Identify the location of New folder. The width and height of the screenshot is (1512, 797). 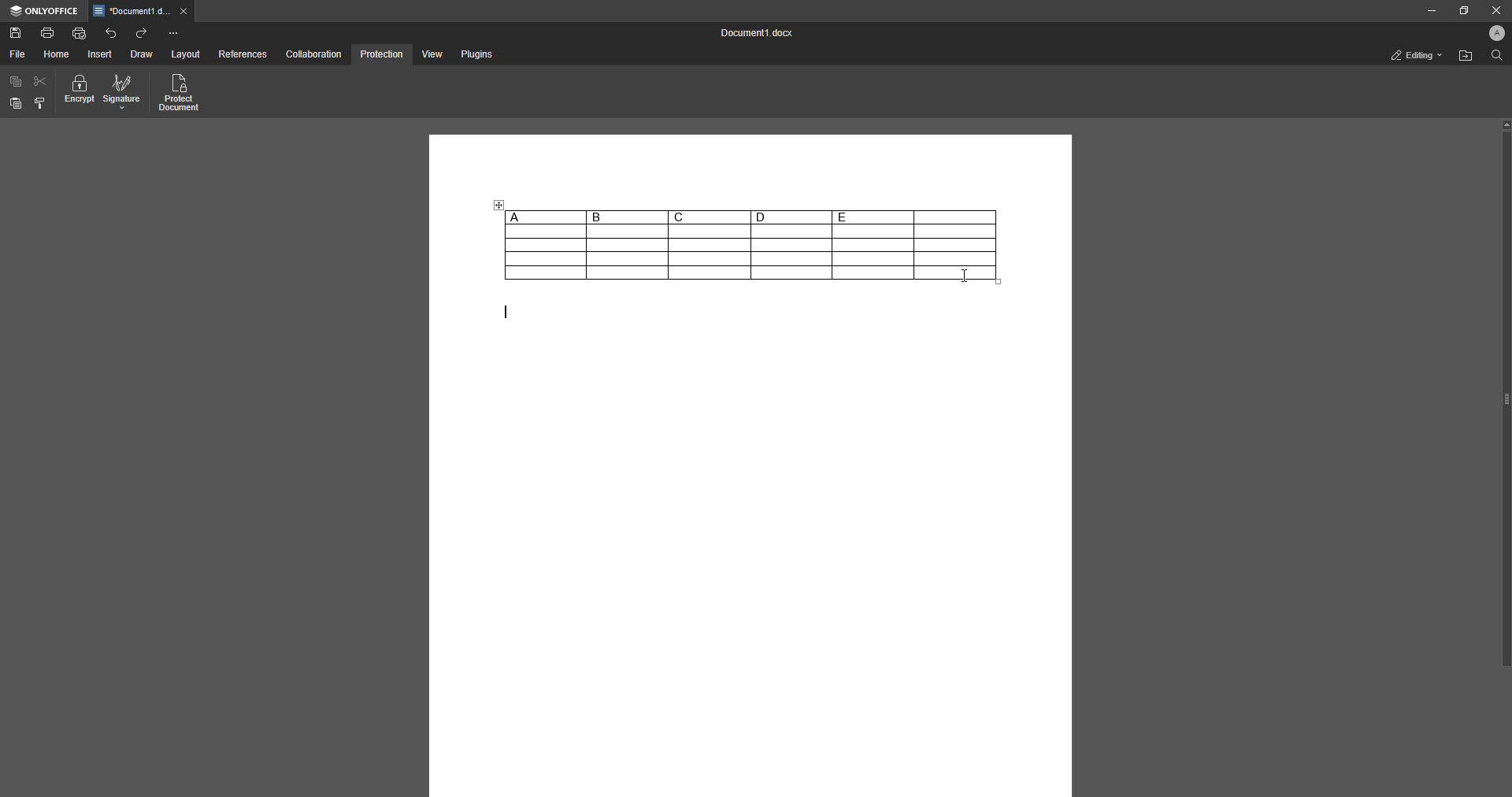
(1463, 57).